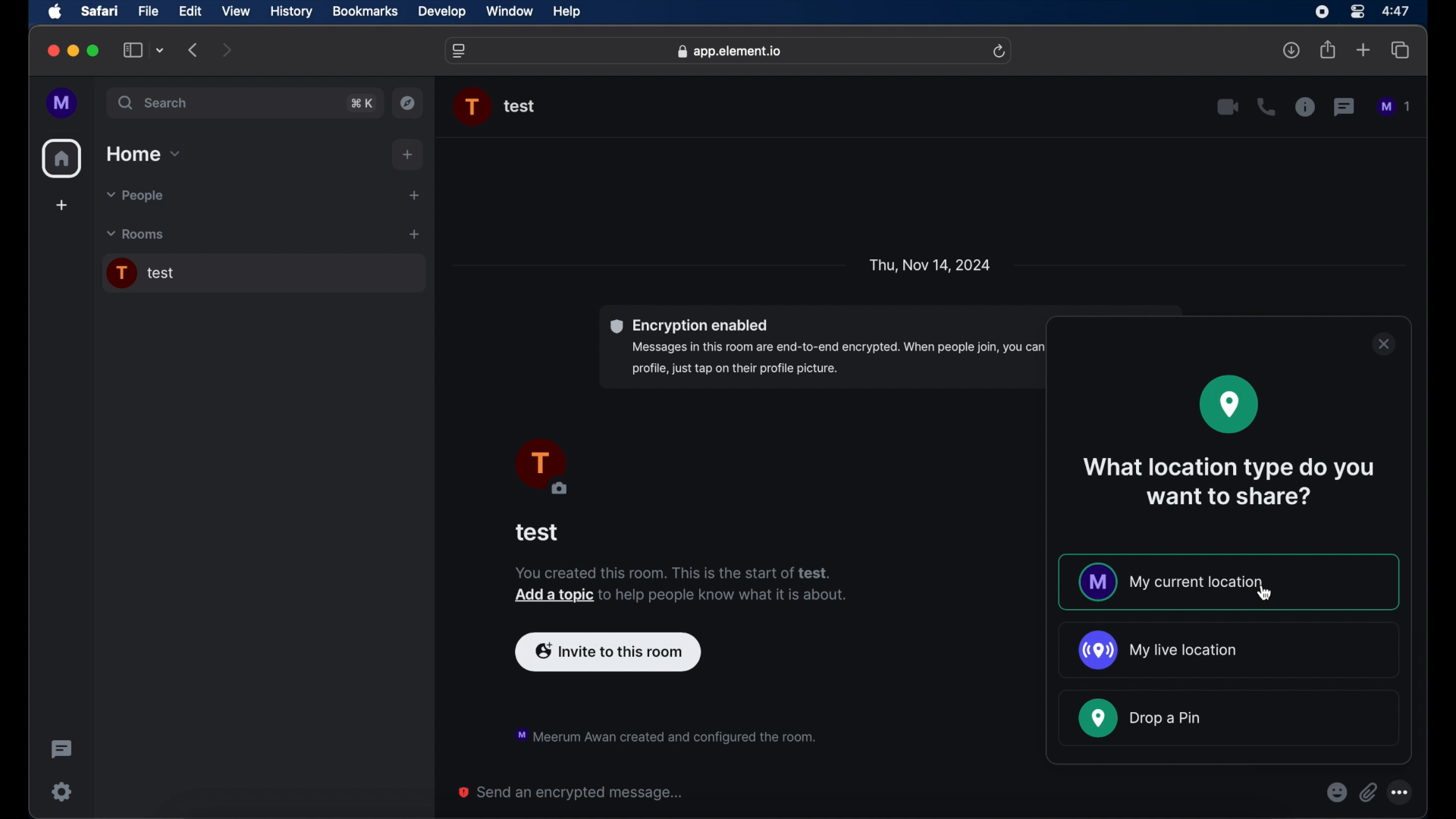 This screenshot has height=819, width=1456. Describe the element at coordinates (1401, 51) in the screenshot. I see `show tab overview` at that location.